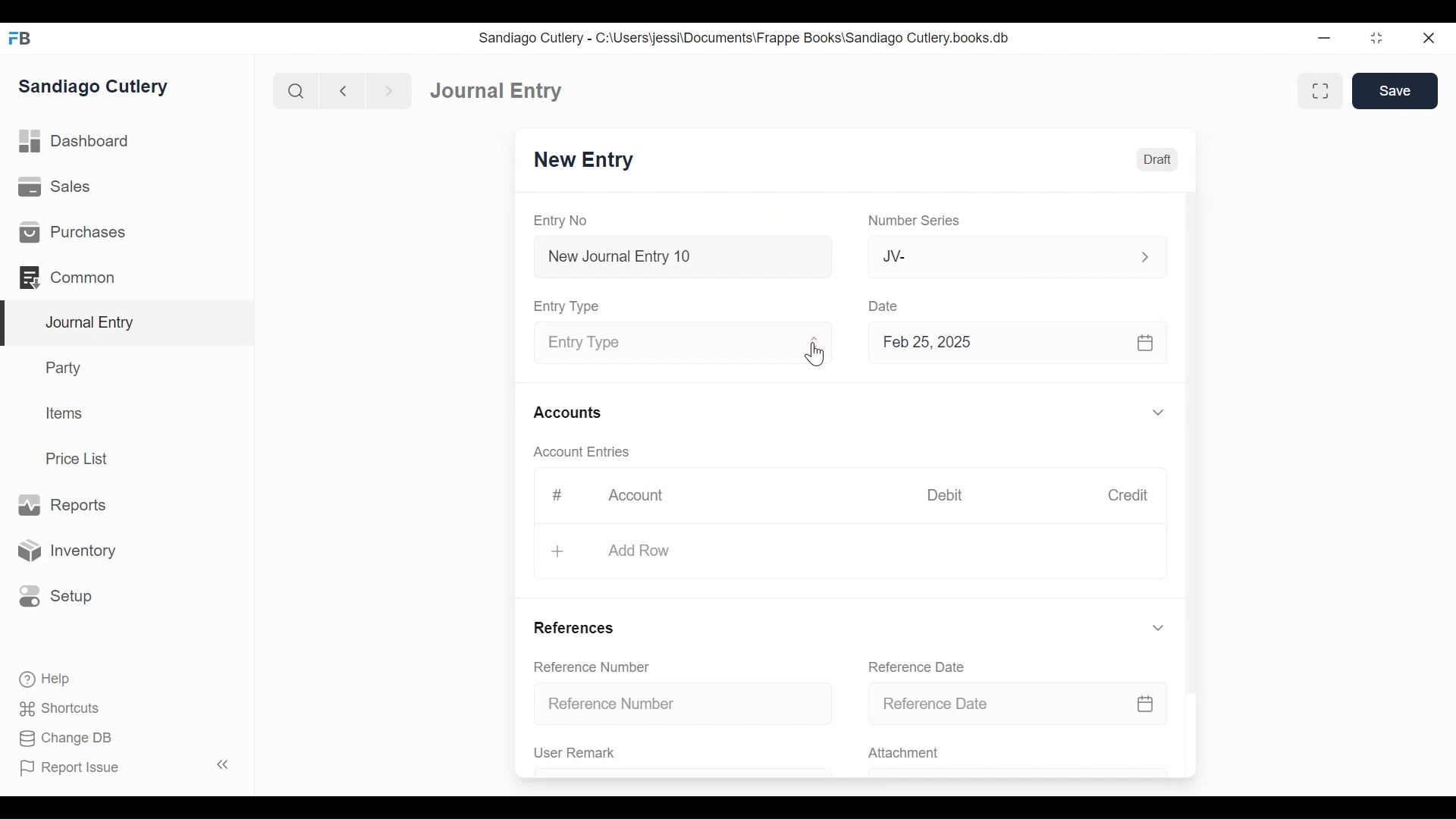 The image size is (1456, 819). I want to click on Journal Entry, so click(499, 92).